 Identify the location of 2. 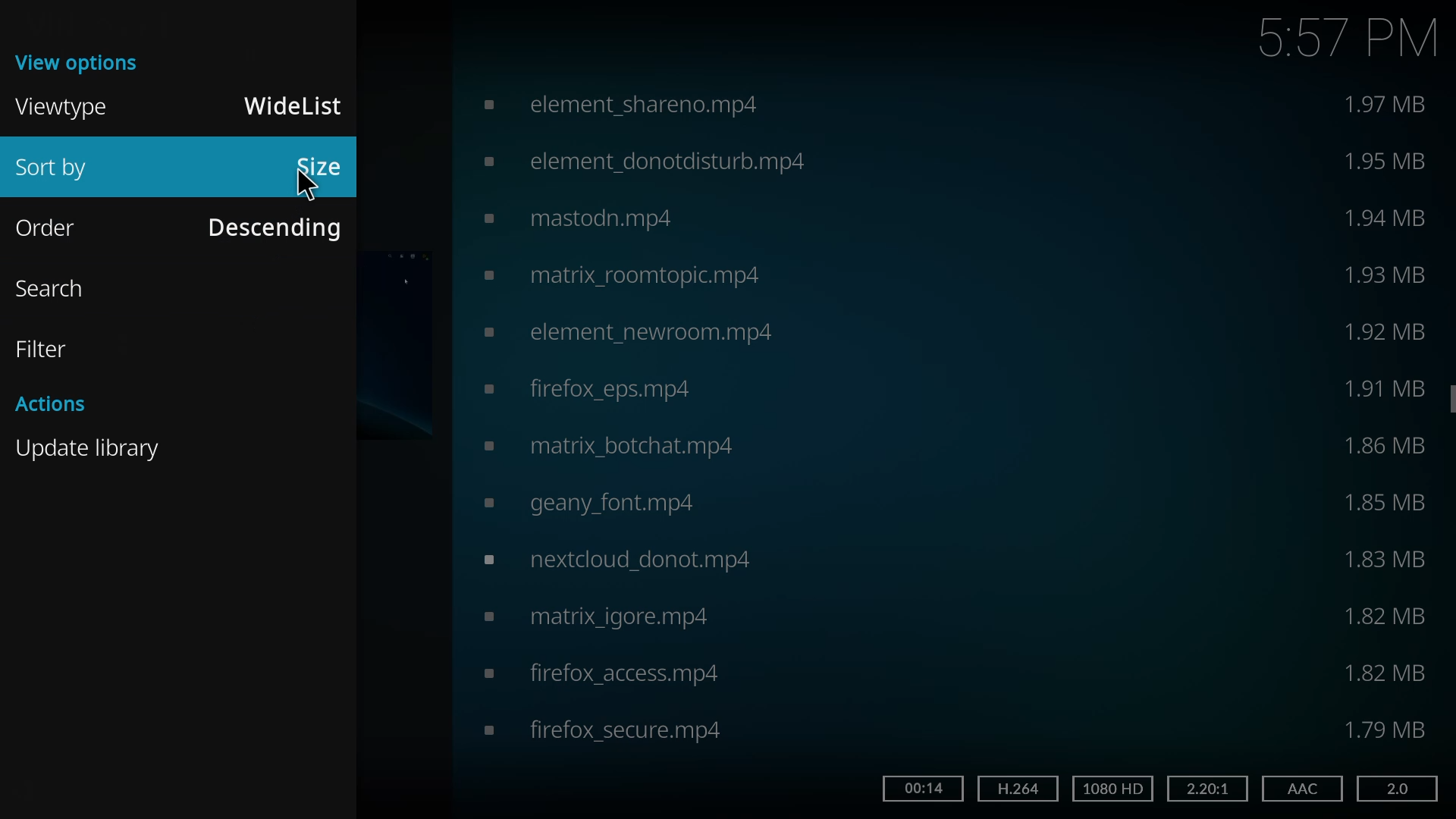
(1204, 787).